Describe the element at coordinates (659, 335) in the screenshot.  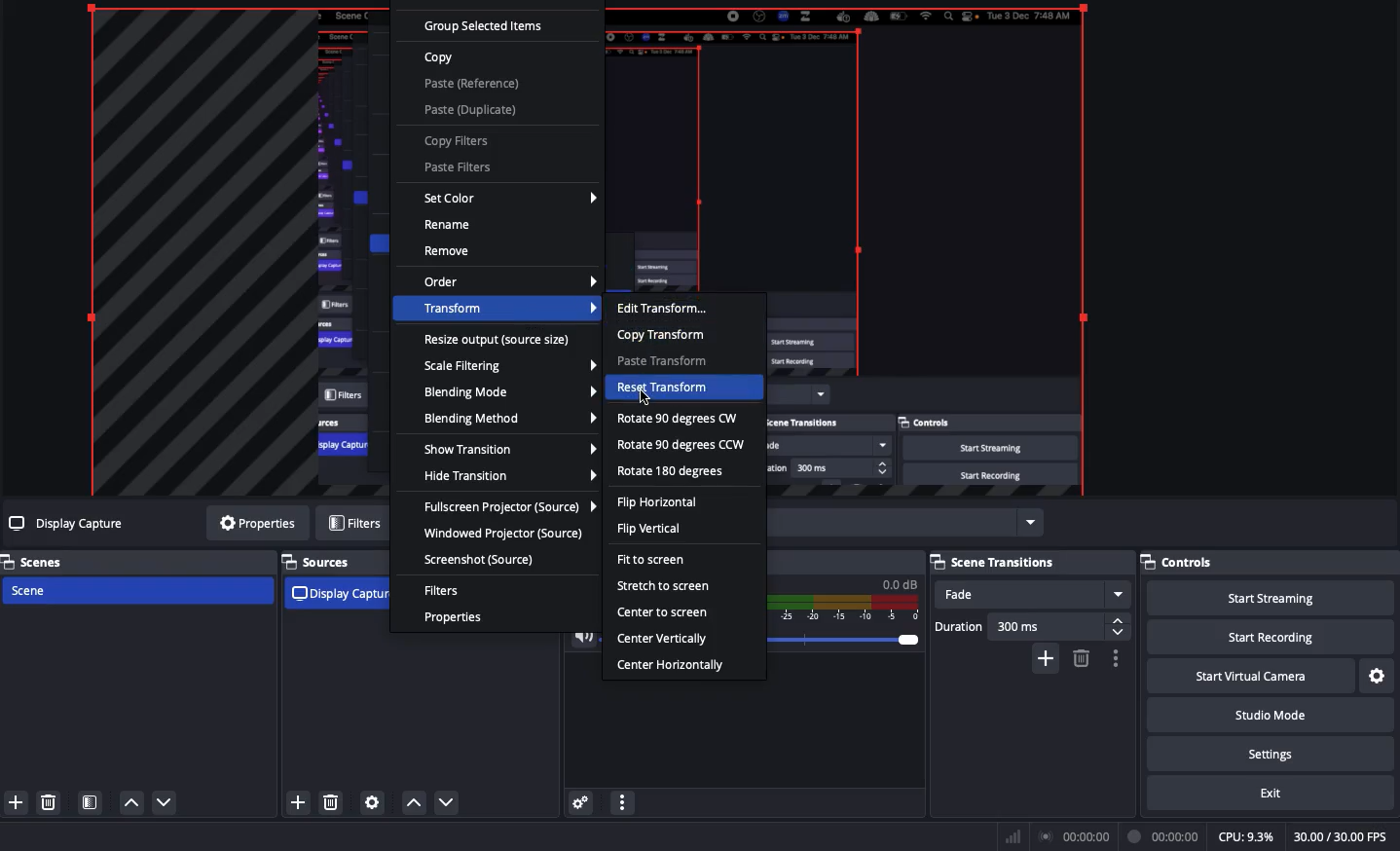
I see `Copy transform ` at that location.